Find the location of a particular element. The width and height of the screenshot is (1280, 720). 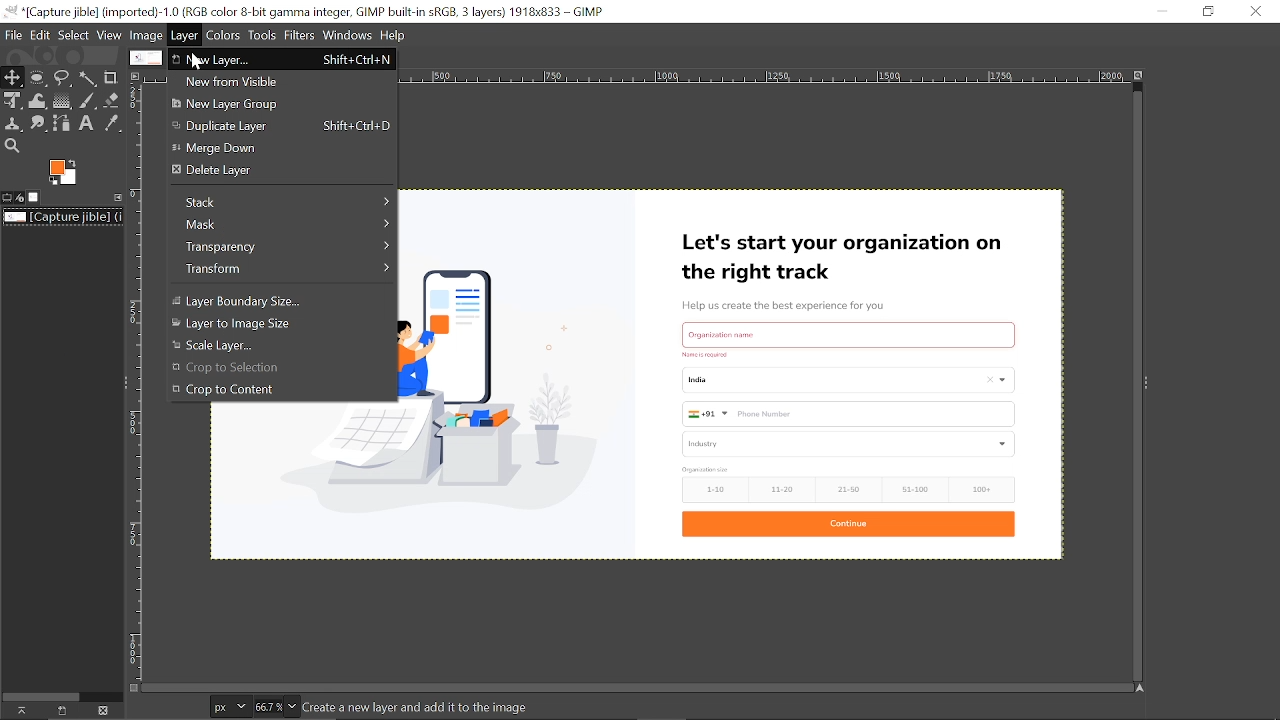

cursor is located at coordinates (197, 63).